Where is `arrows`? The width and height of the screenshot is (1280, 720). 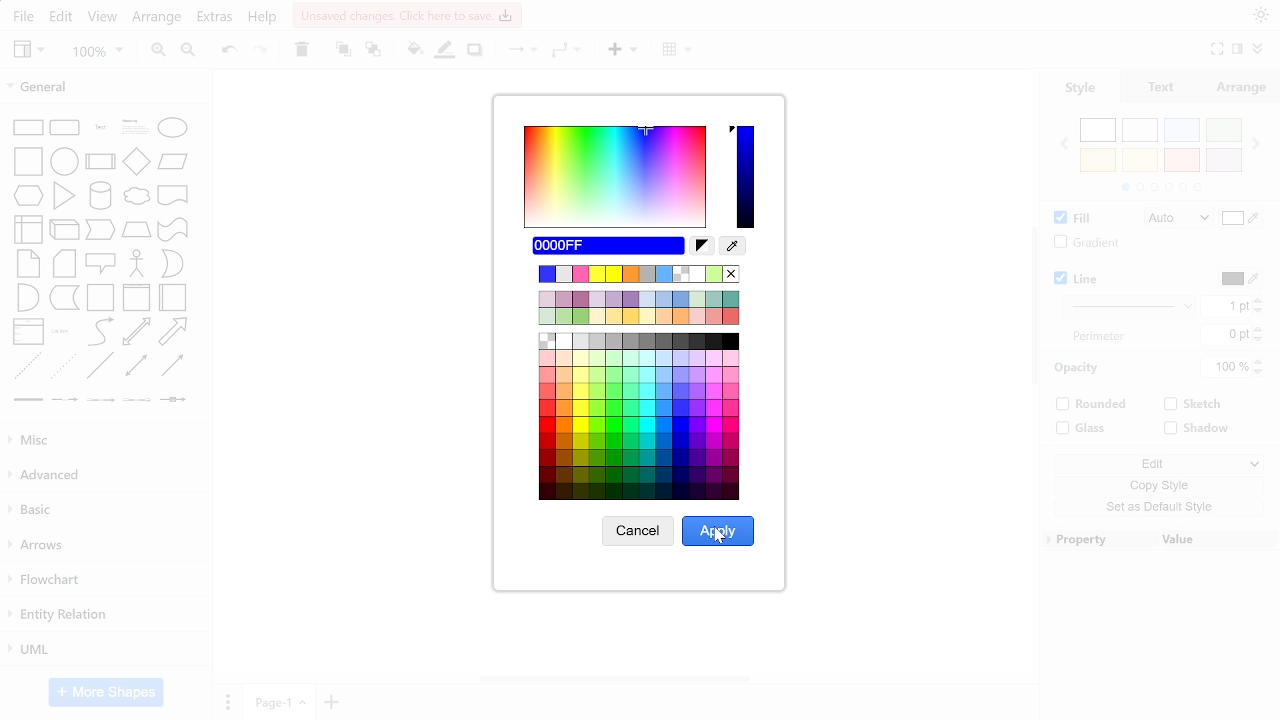 arrows is located at coordinates (104, 548).